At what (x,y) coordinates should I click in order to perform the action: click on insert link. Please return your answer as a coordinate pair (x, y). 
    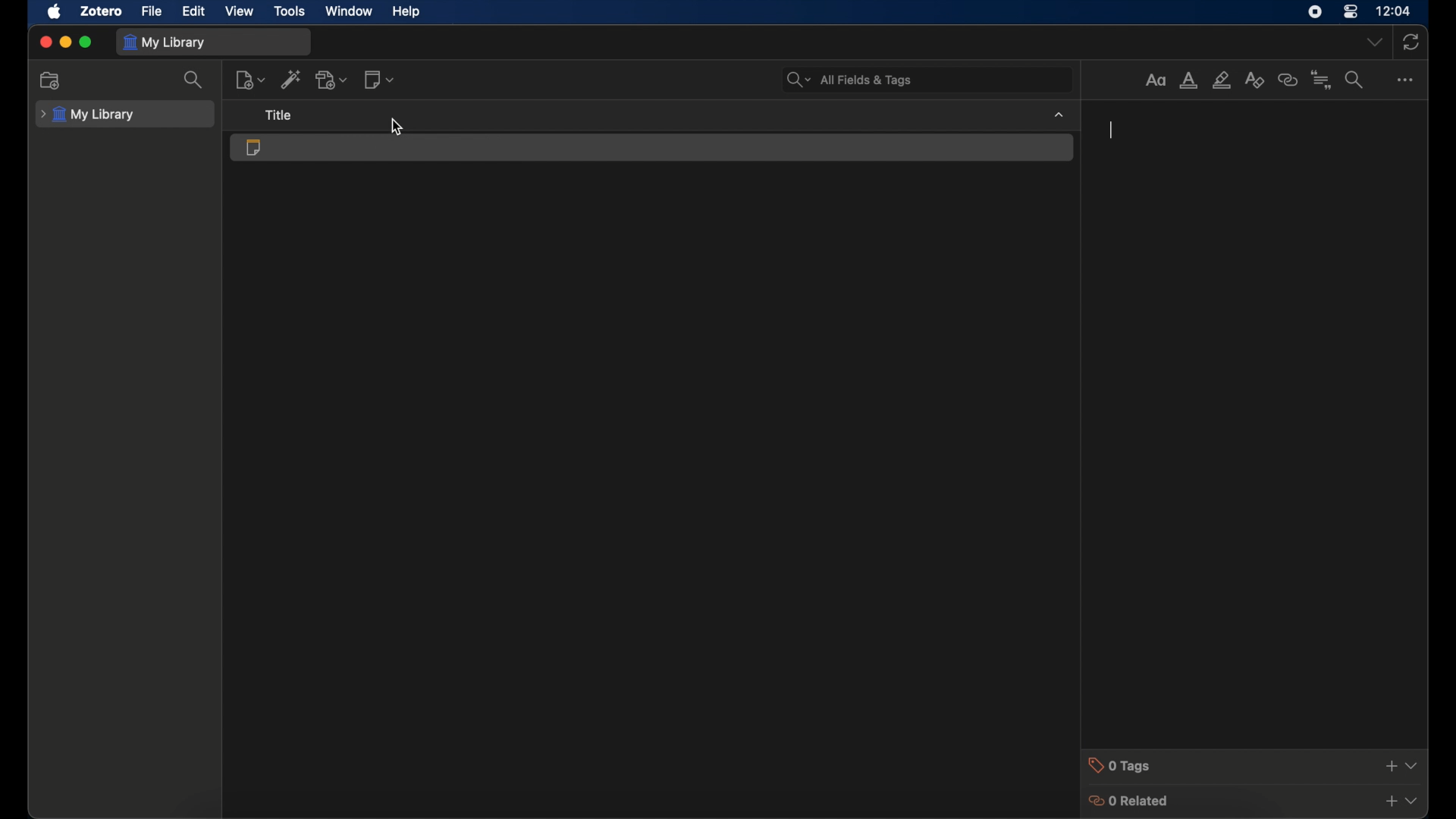
    Looking at the image, I should click on (1288, 80).